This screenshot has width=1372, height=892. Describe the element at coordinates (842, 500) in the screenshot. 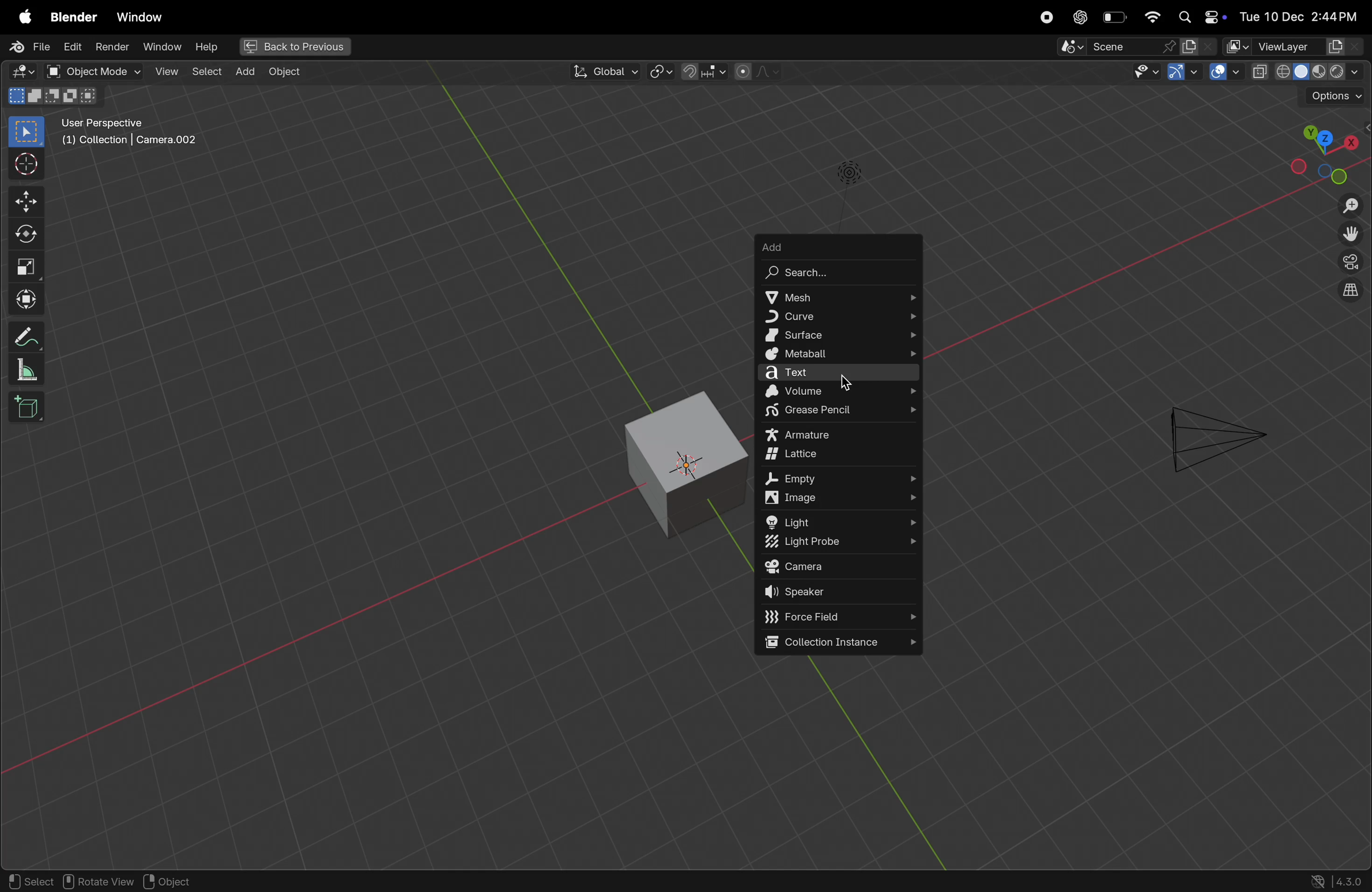

I see `image` at that location.